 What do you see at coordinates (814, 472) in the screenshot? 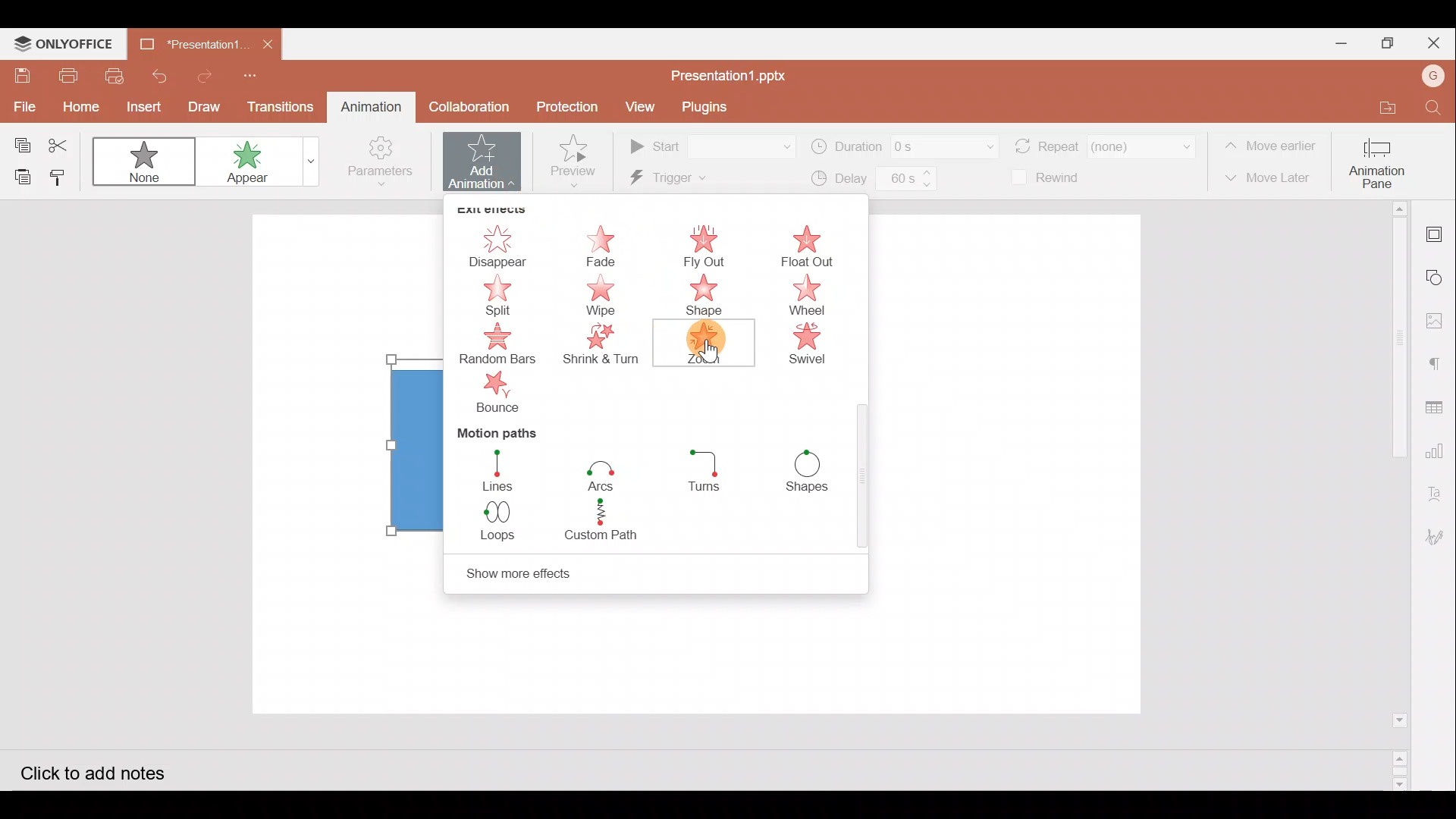
I see `Shapes` at bounding box center [814, 472].